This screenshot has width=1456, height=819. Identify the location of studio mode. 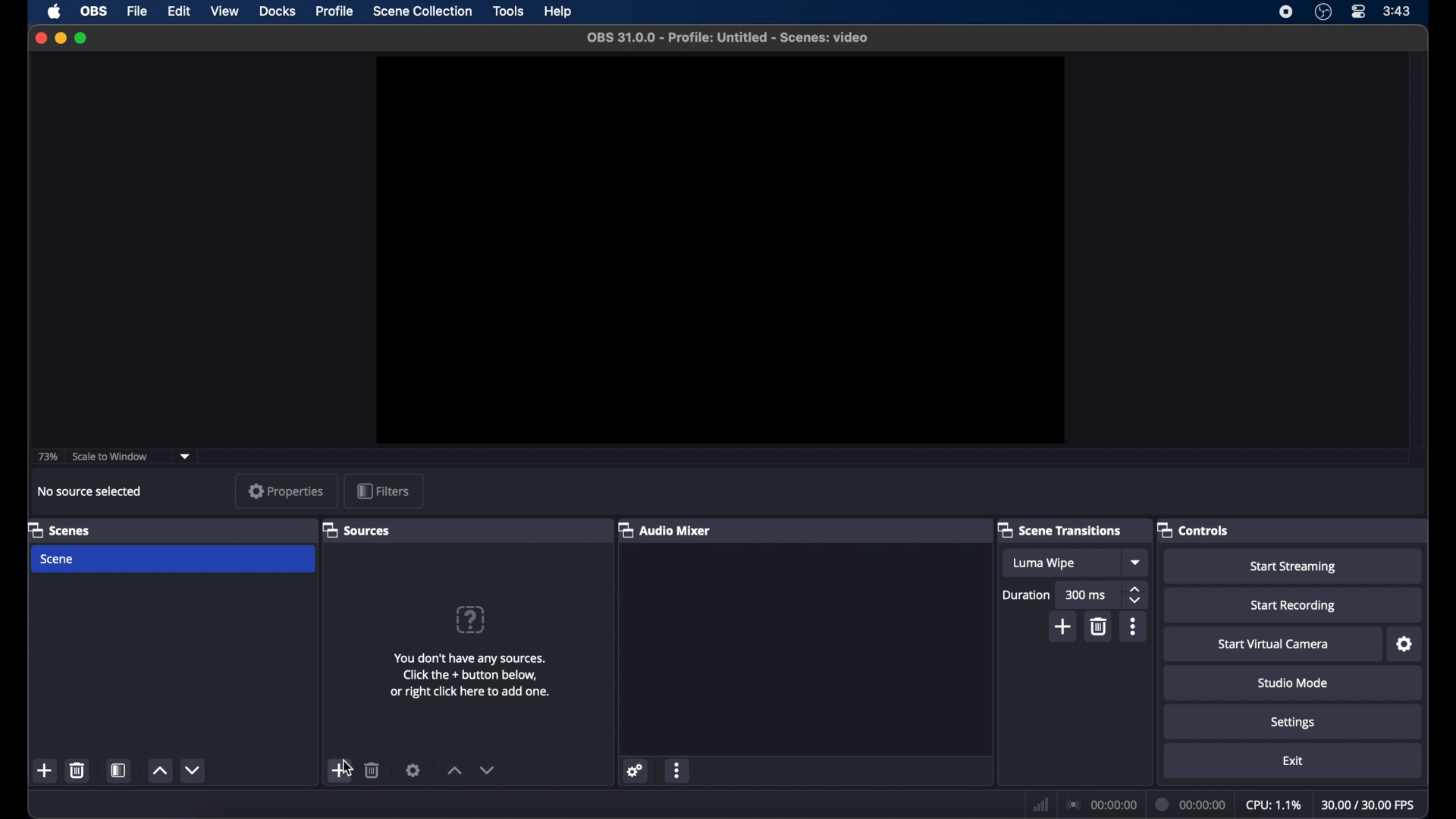
(1294, 683).